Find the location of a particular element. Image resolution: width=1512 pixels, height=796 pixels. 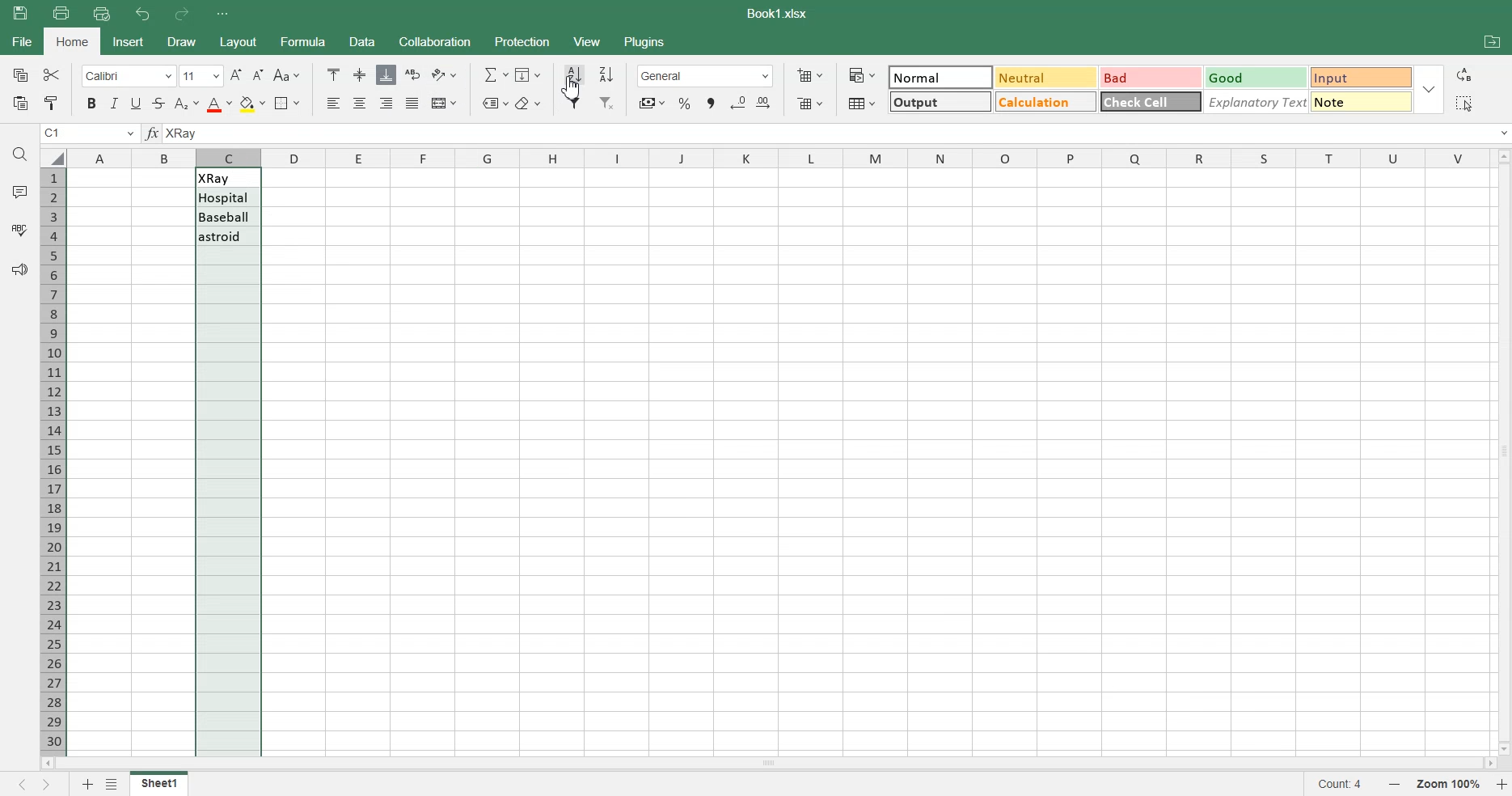

Decrease Decimal is located at coordinates (738, 103).